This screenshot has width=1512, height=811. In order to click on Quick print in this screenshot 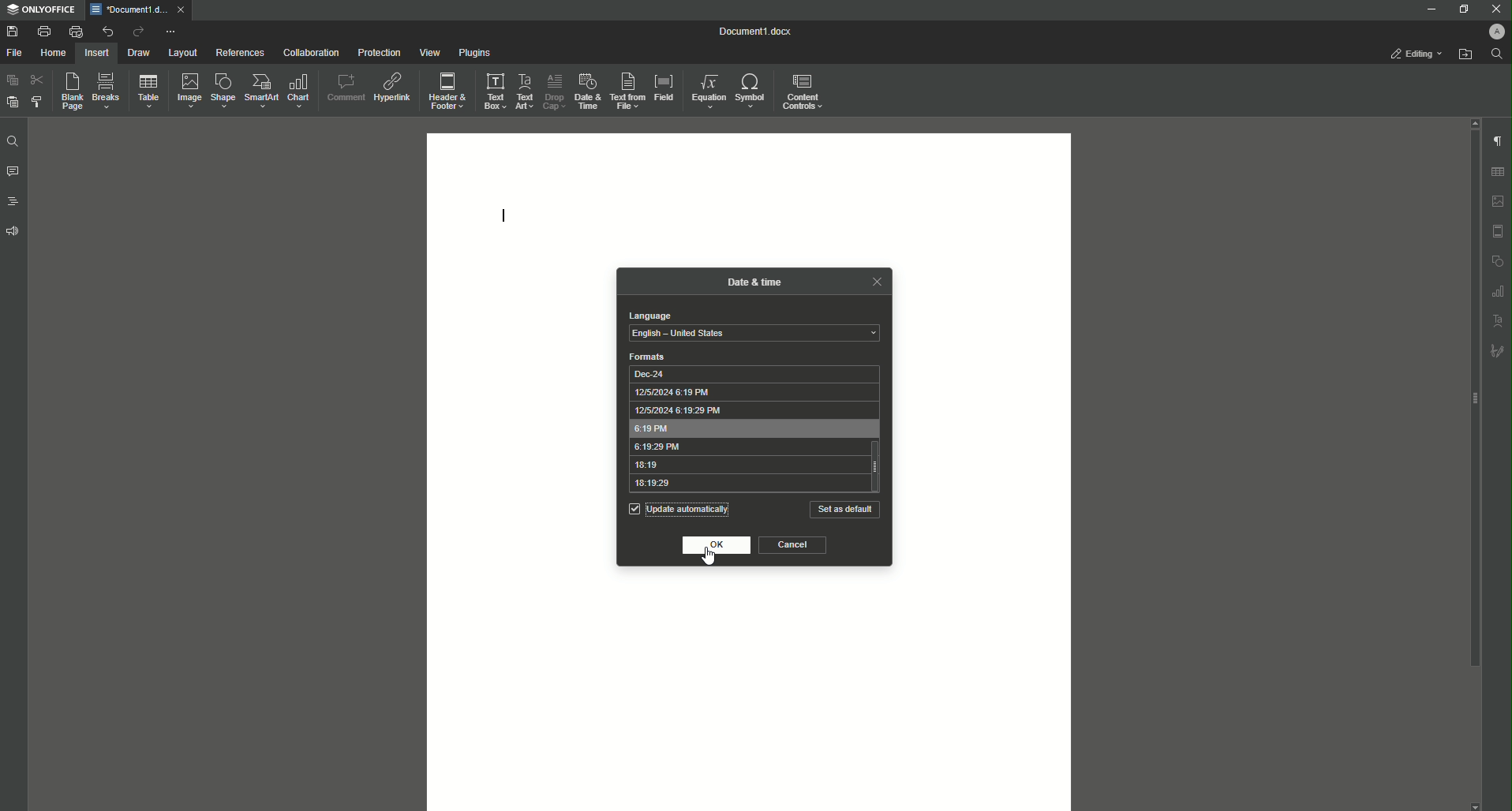, I will do `click(75, 32)`.